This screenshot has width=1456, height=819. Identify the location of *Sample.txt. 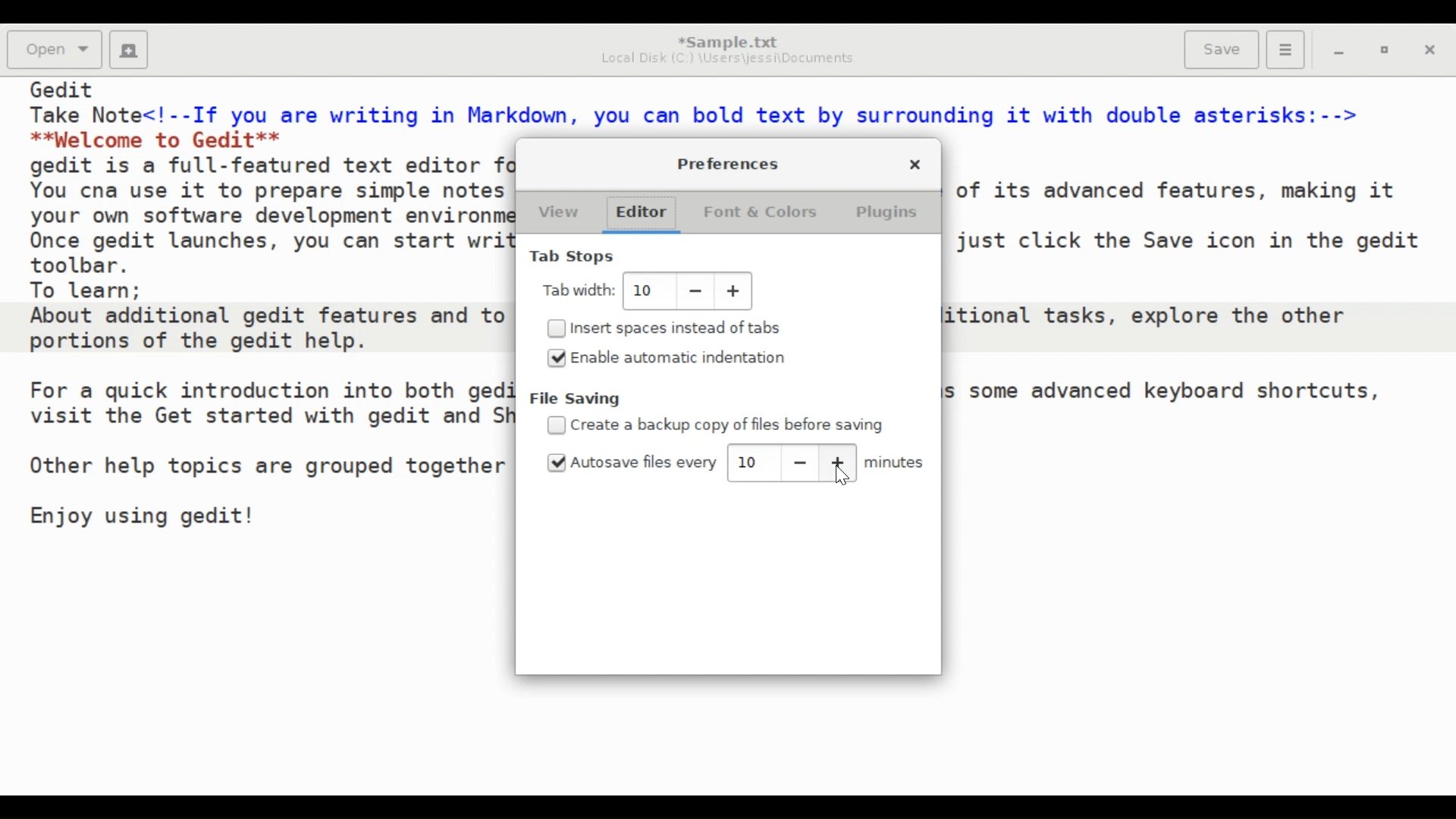
(728, 39).